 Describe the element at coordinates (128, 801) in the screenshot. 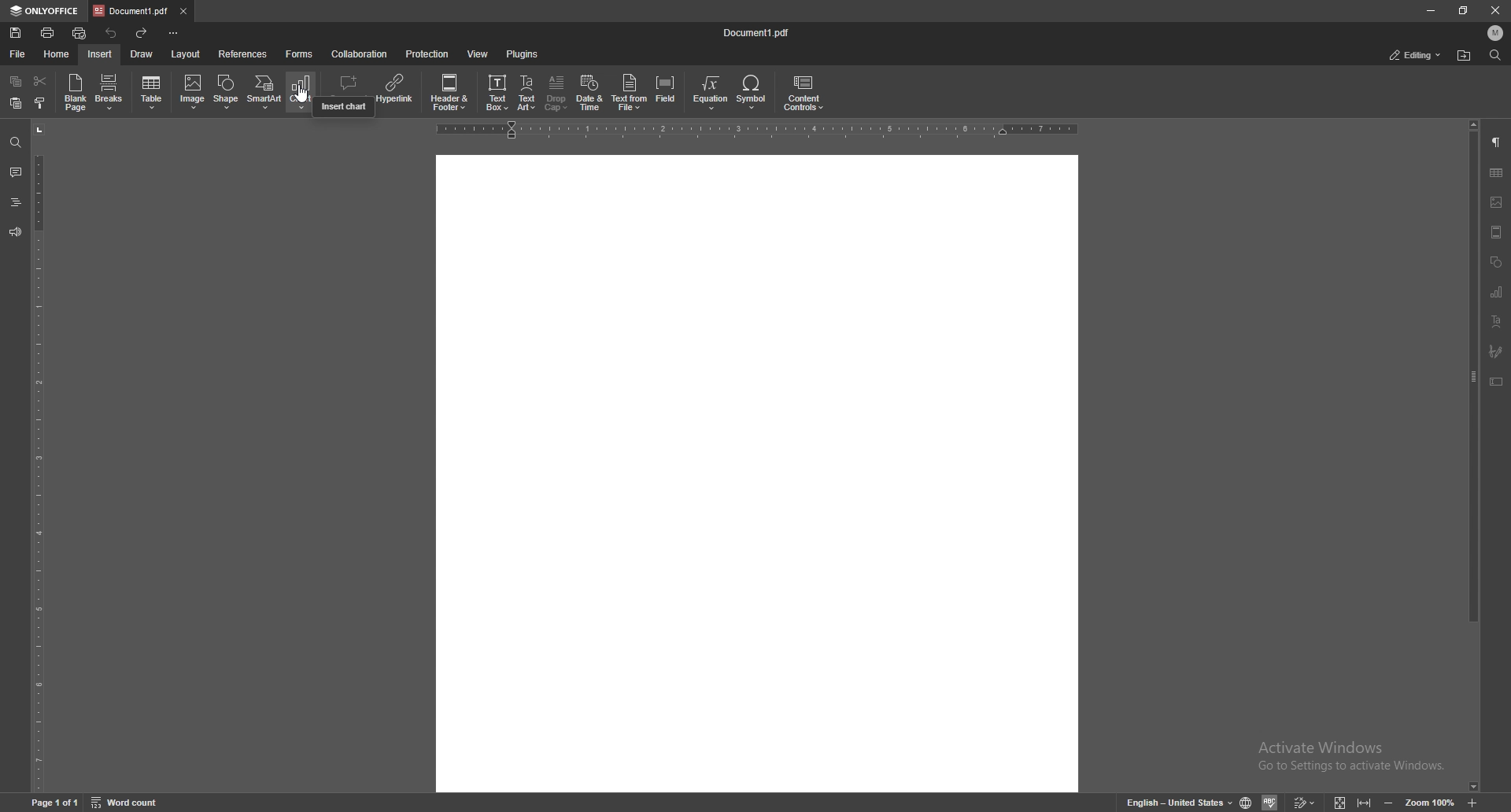

I see `Word count` at that location.